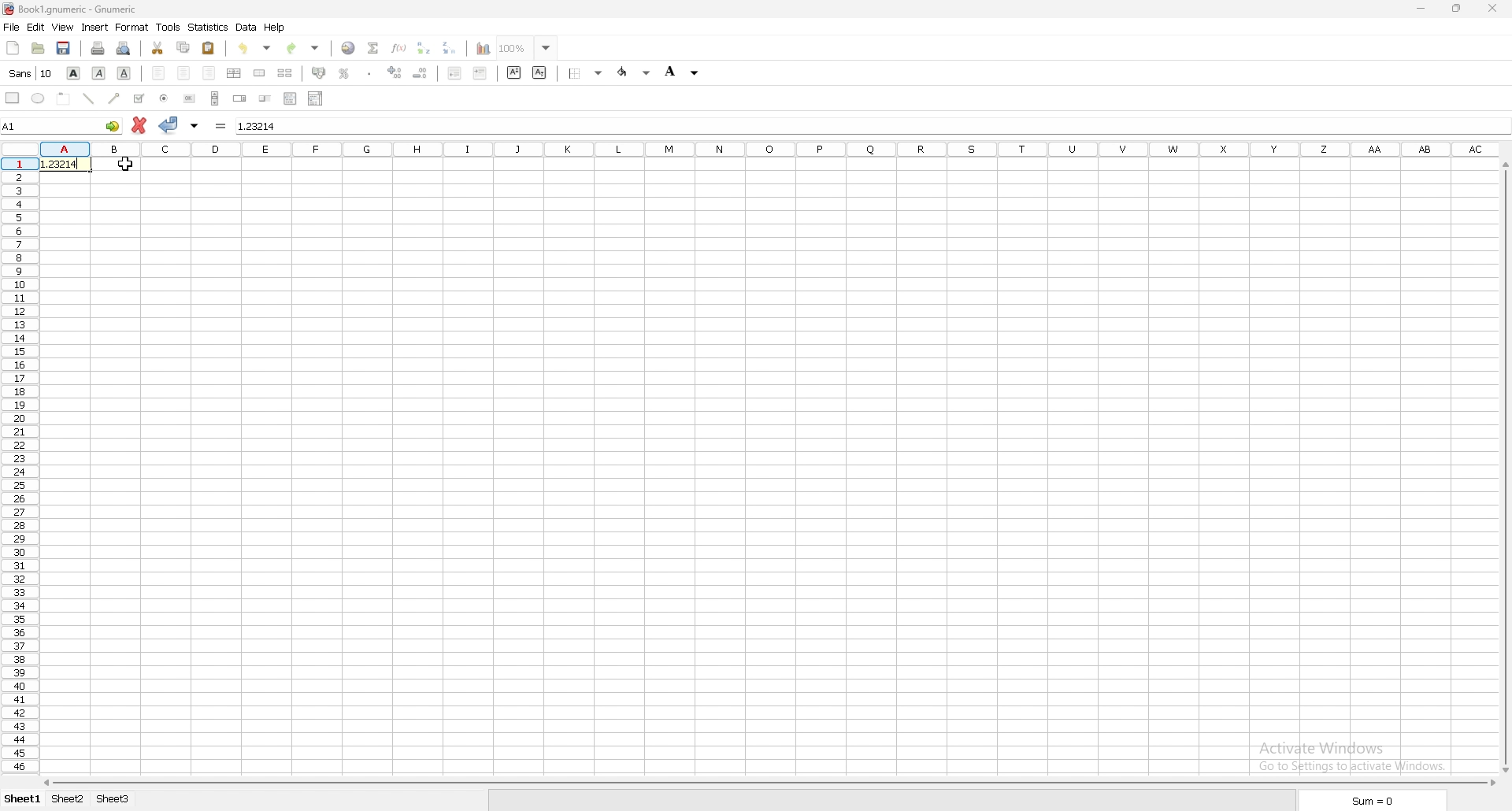 This screenshot has width=1512, height=811. I want to click on tools, so click(169, 27).